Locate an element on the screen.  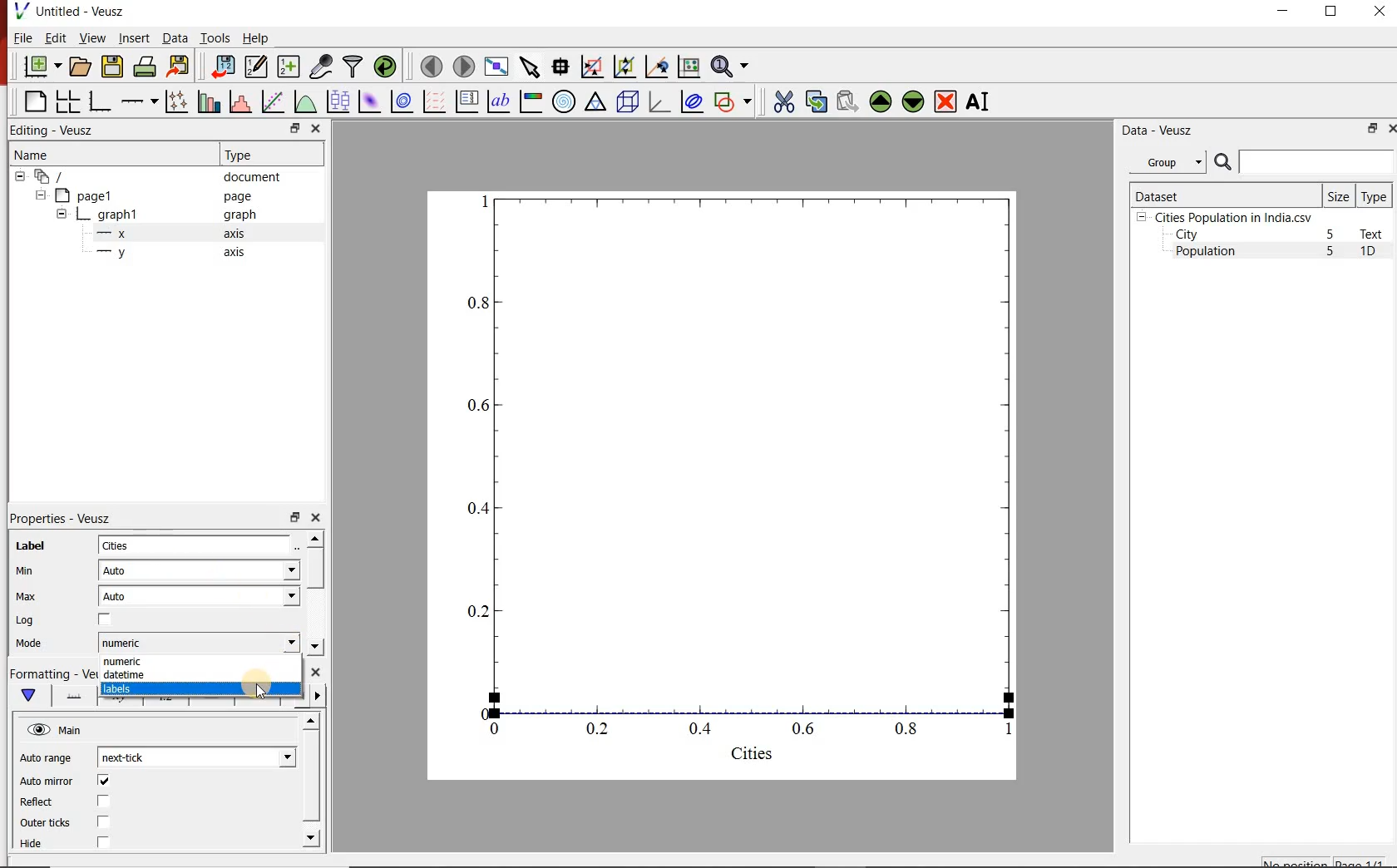
Type is located at coordinates (269, 155).